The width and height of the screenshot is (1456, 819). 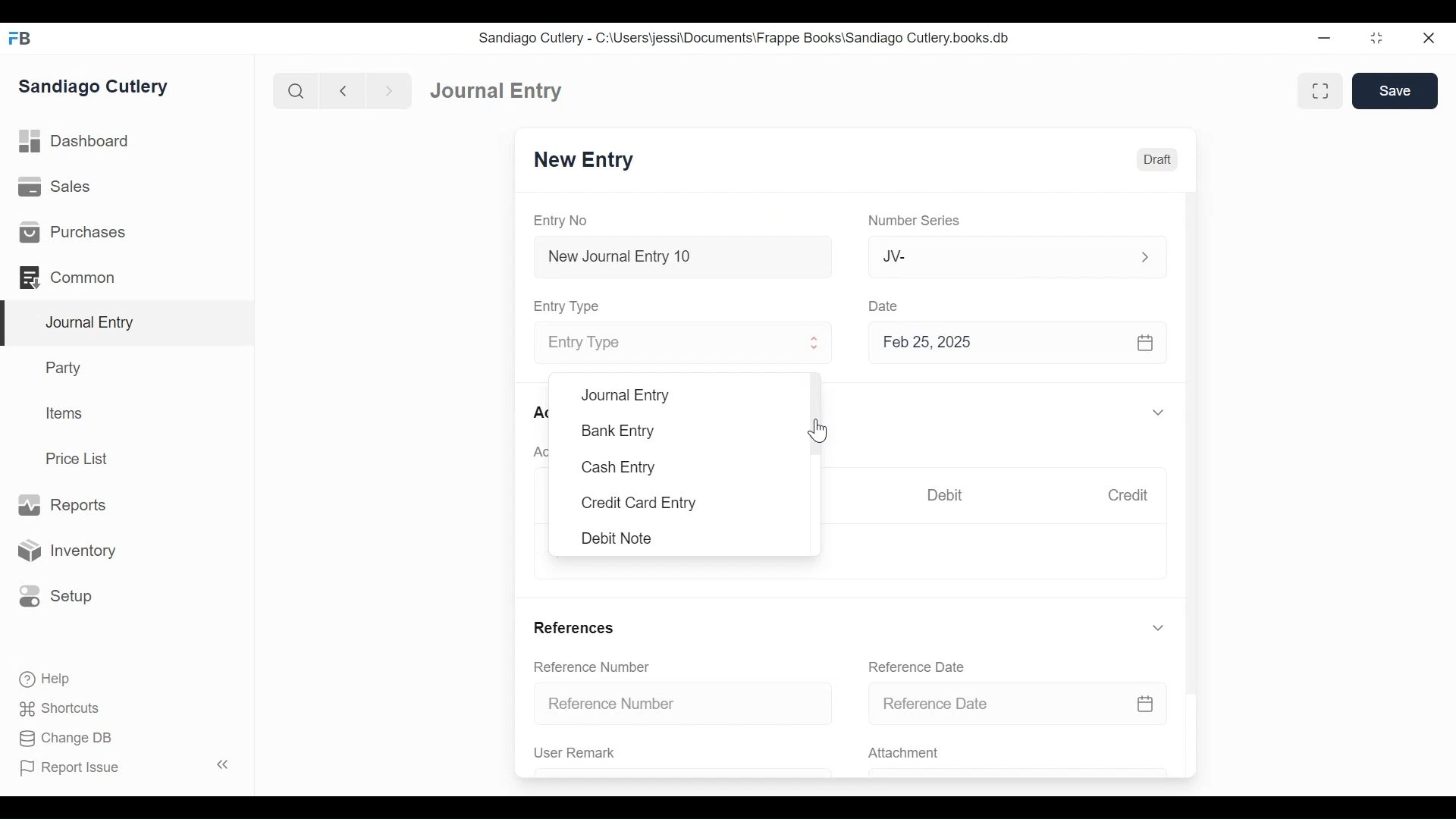 What do you see at coordinates (949, 495) in the screenshot?
I see `Debit` at bounding box center [949, 495].